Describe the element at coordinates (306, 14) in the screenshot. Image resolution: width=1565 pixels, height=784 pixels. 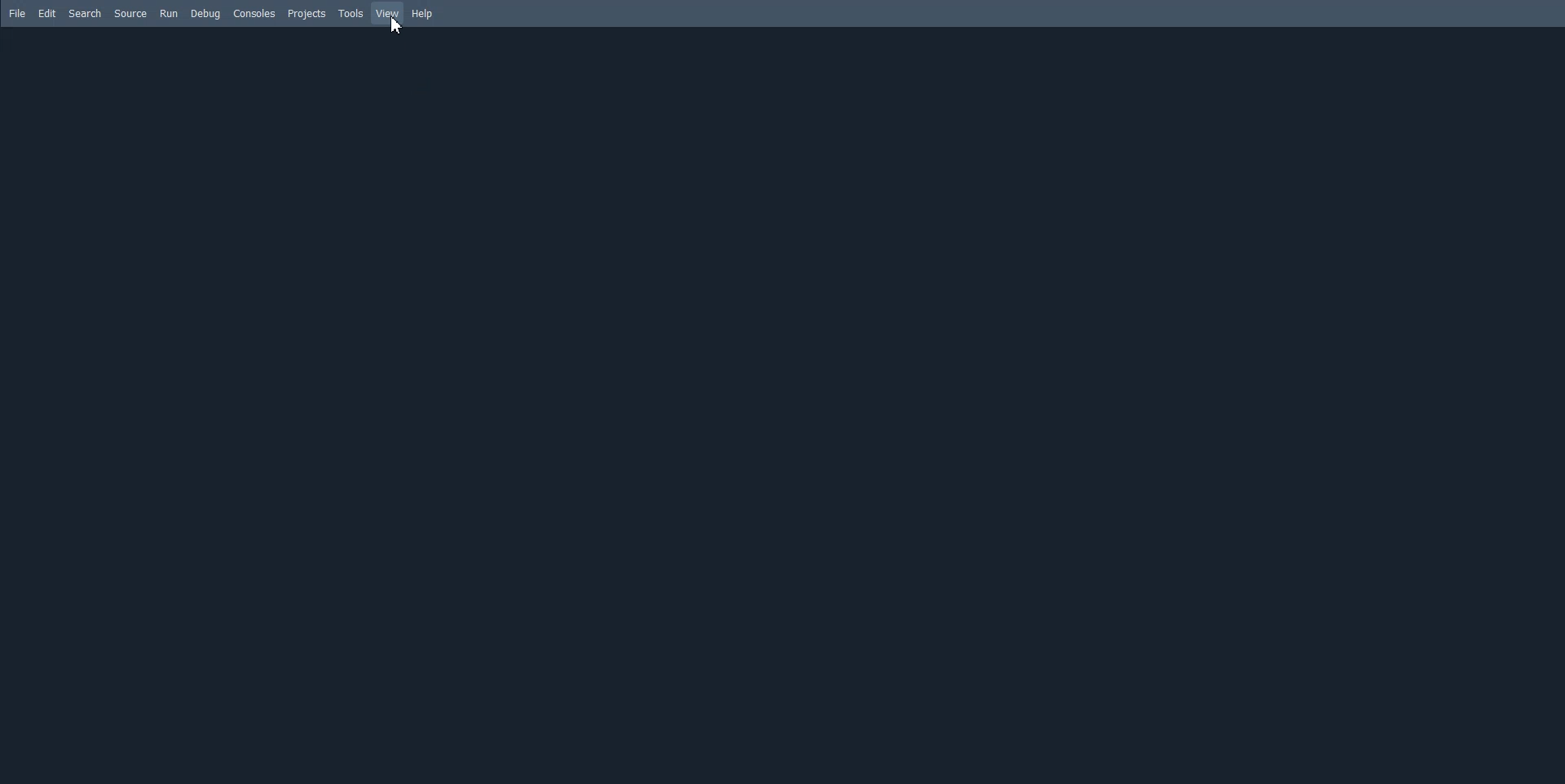
I see `Projects` at that location.